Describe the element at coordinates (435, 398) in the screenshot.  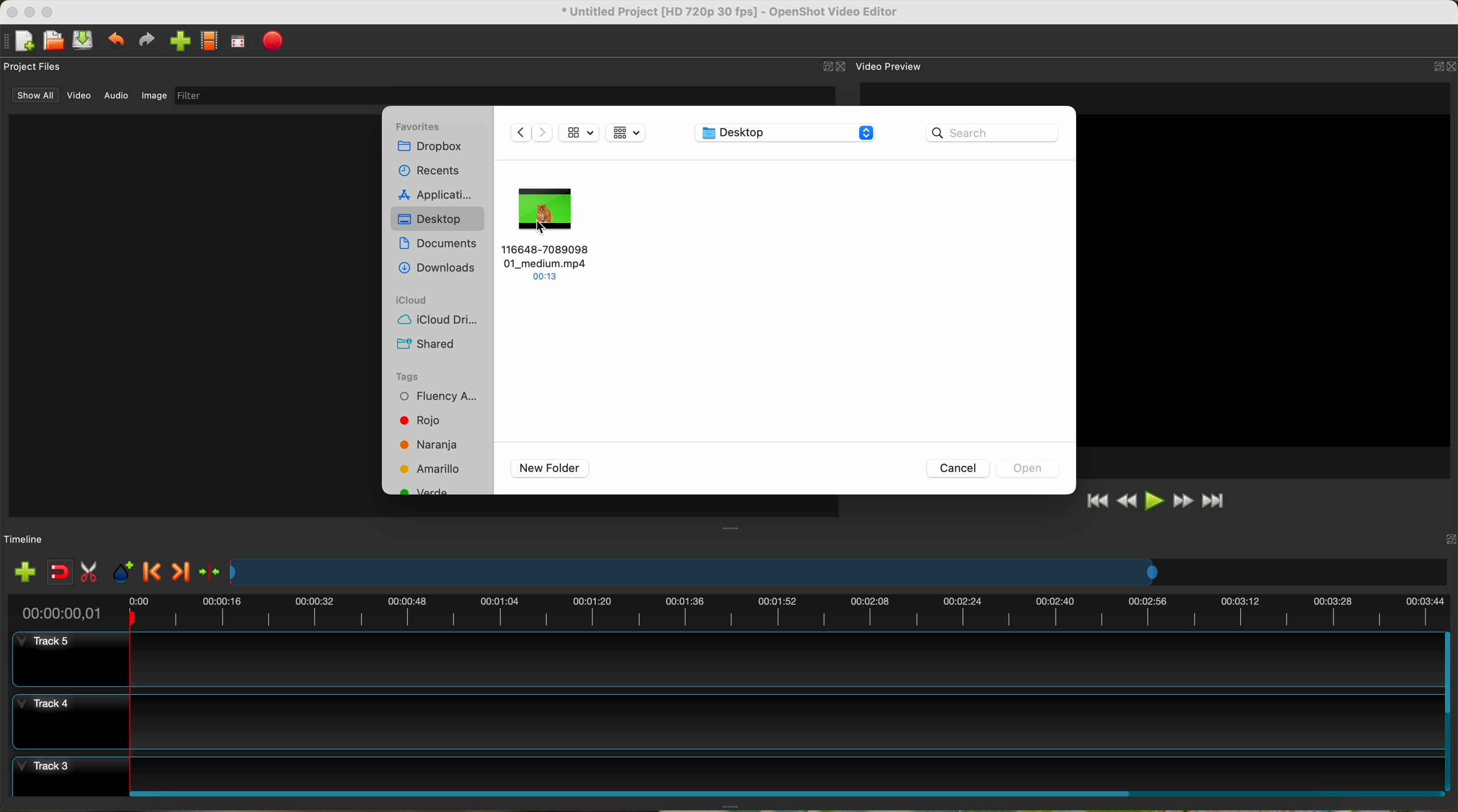
I see `fluency tag` at that location.